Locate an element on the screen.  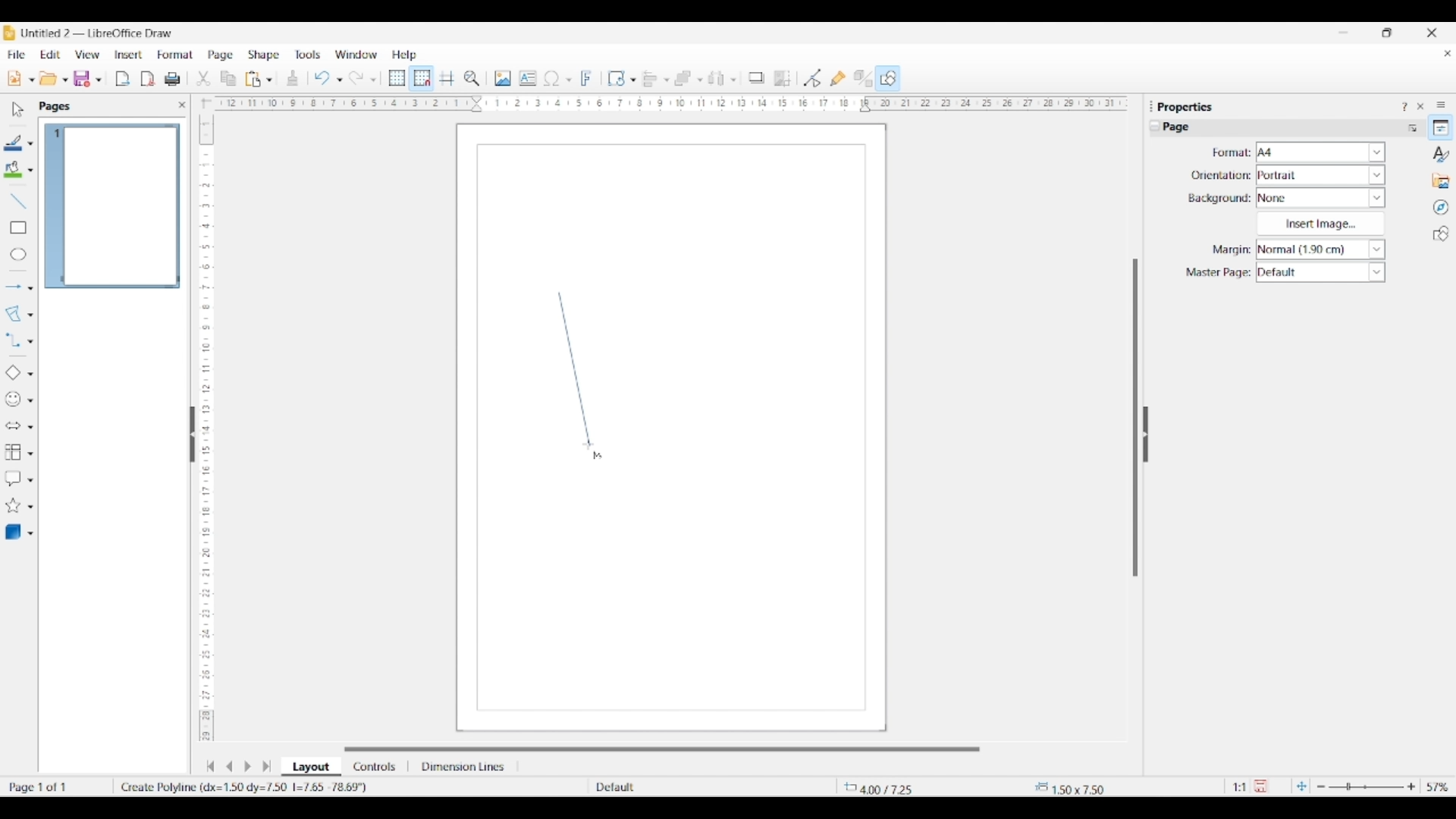
Redo last action is located at coordinates (356, 78).